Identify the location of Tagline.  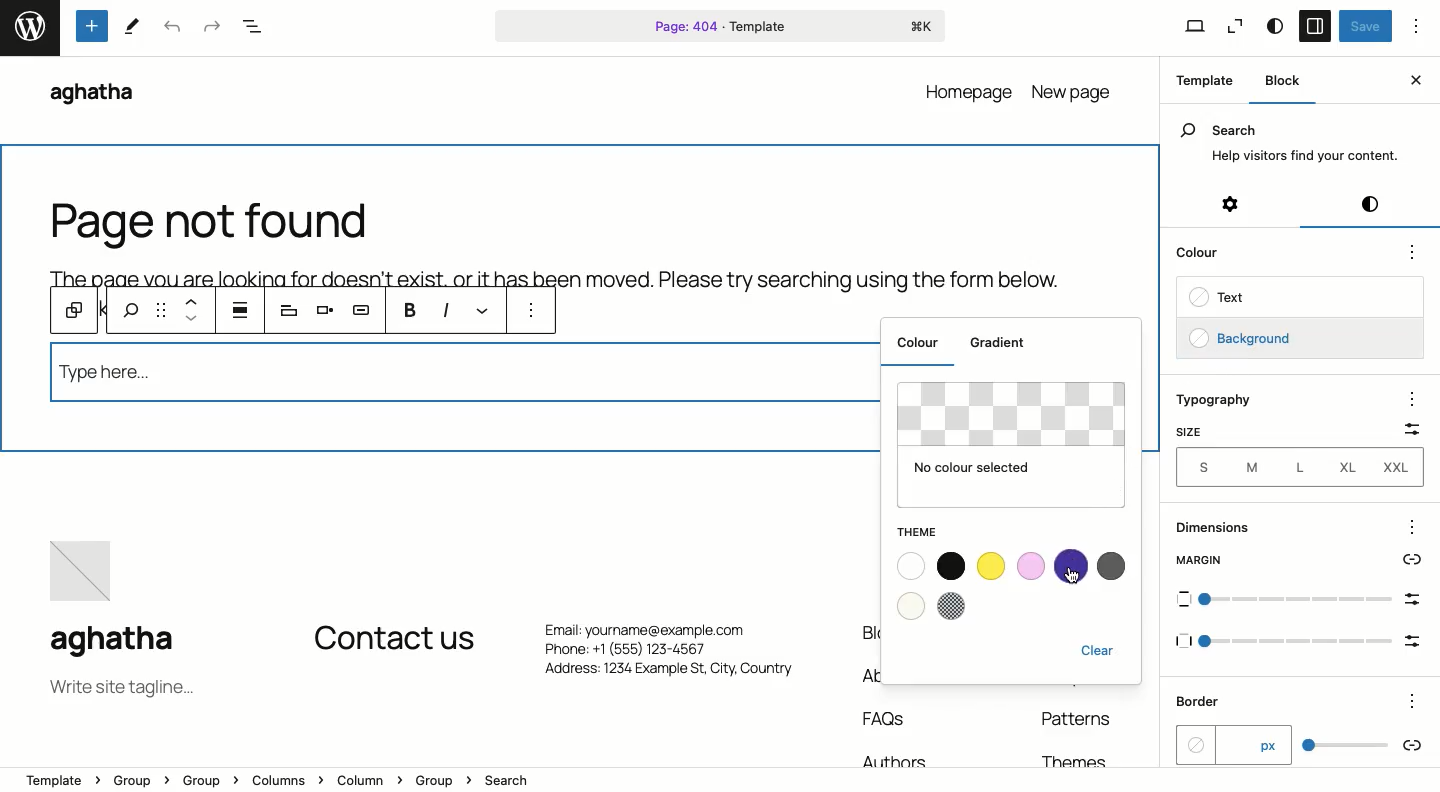
(120, 689).